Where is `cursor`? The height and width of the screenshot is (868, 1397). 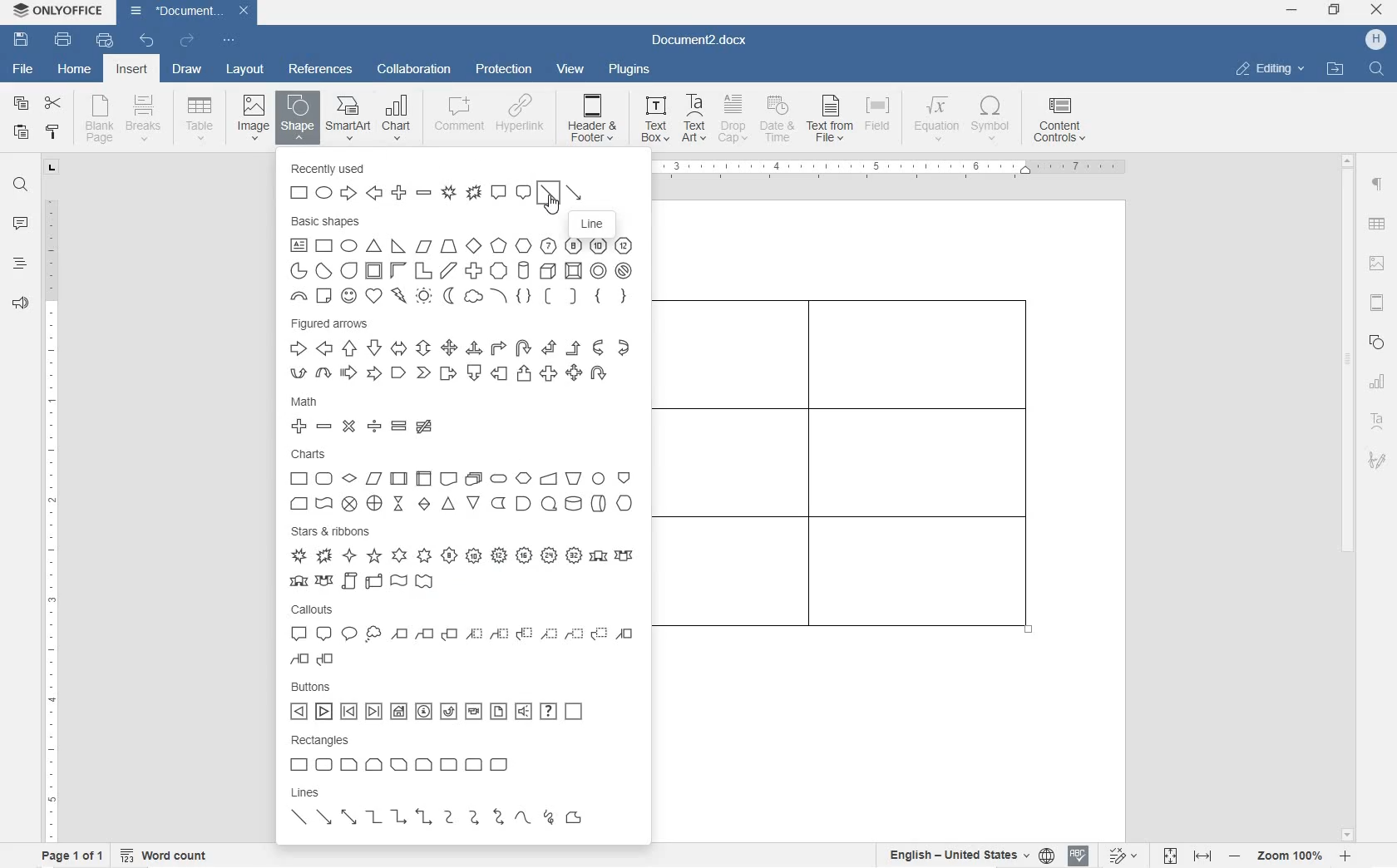
cursor is located at coordinates (551, 205).